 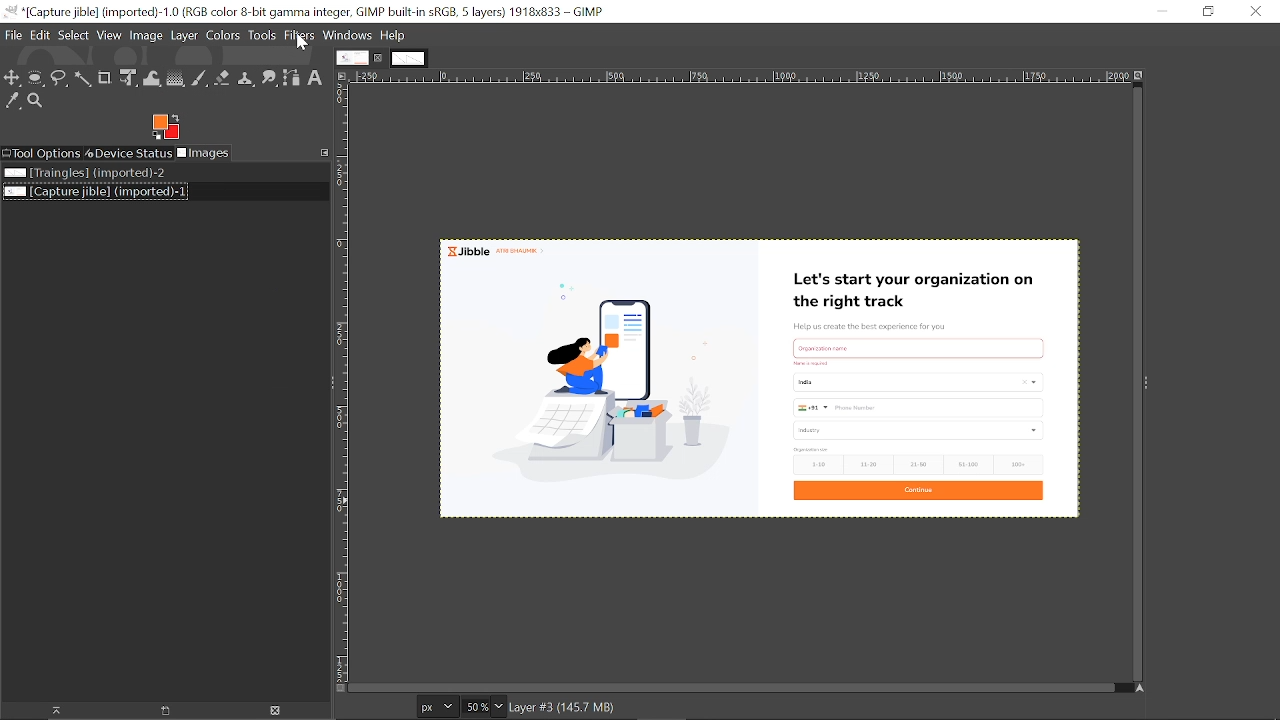 What do you see at coordinates (185, 37) in the screenshot?
I see `Layer` at bounding box center [185, 37].